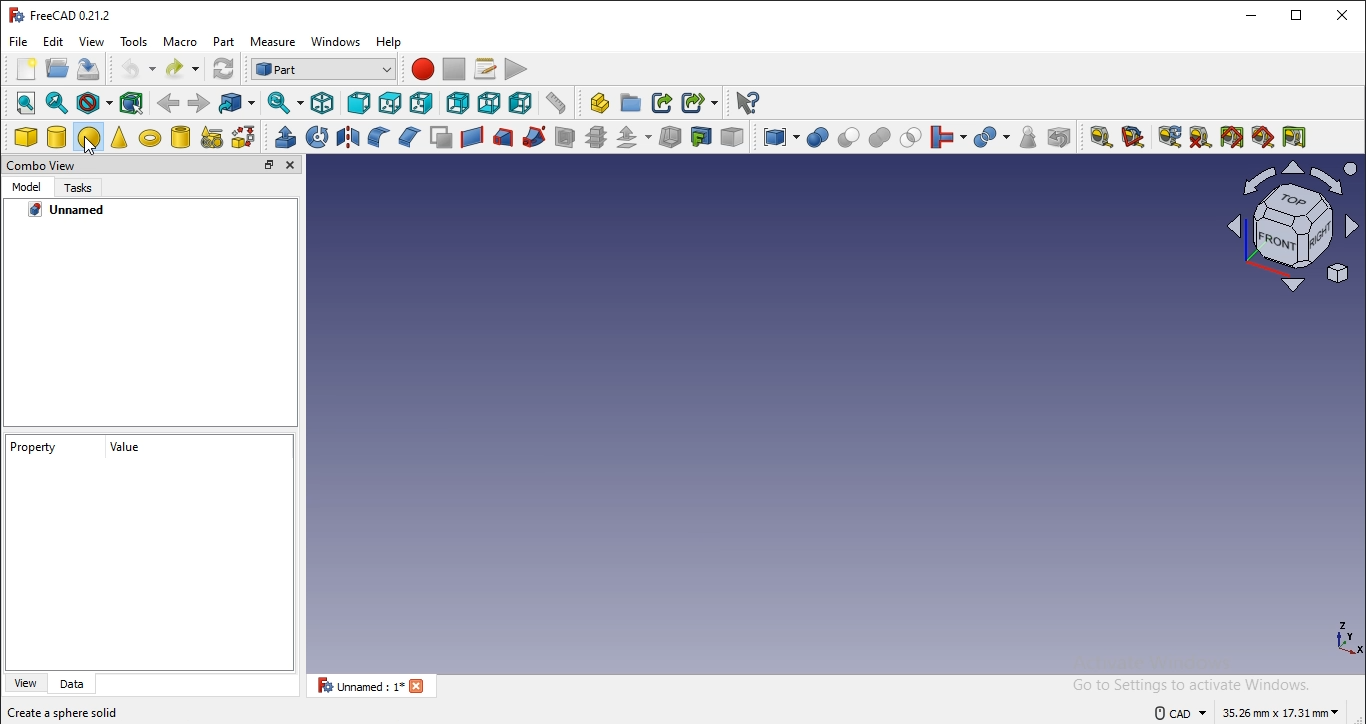  What do you see at coordinates (54, 42) in the screenshot?
I see `edit` at bounding box center [54, 42].